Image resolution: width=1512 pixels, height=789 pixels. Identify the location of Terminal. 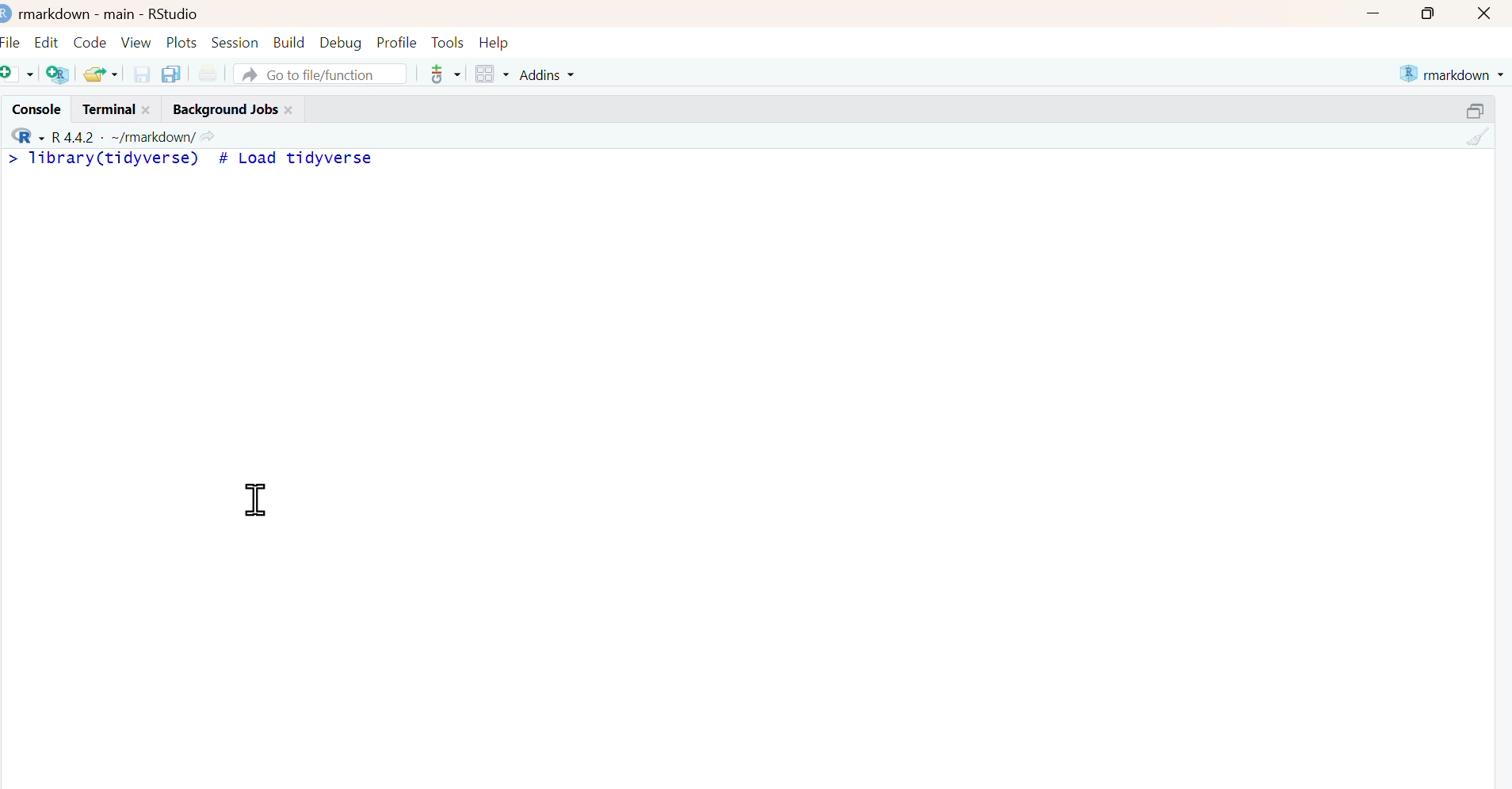
(105, 109).